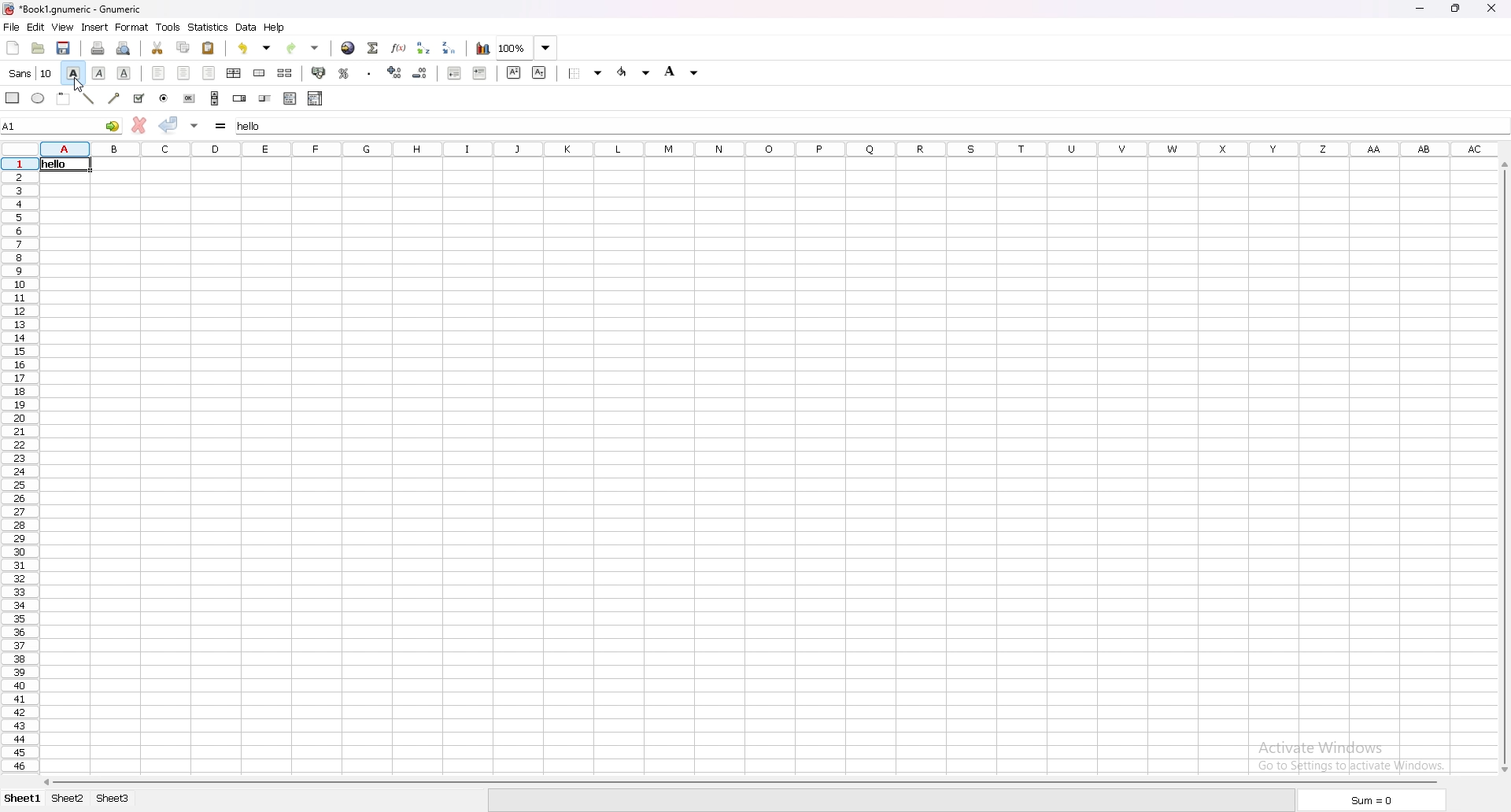 The image size is (1511, 812). What do you see at coordinates (140, 99) in the screenshot?
I see `checkbox` at bounding box center [140, 99].